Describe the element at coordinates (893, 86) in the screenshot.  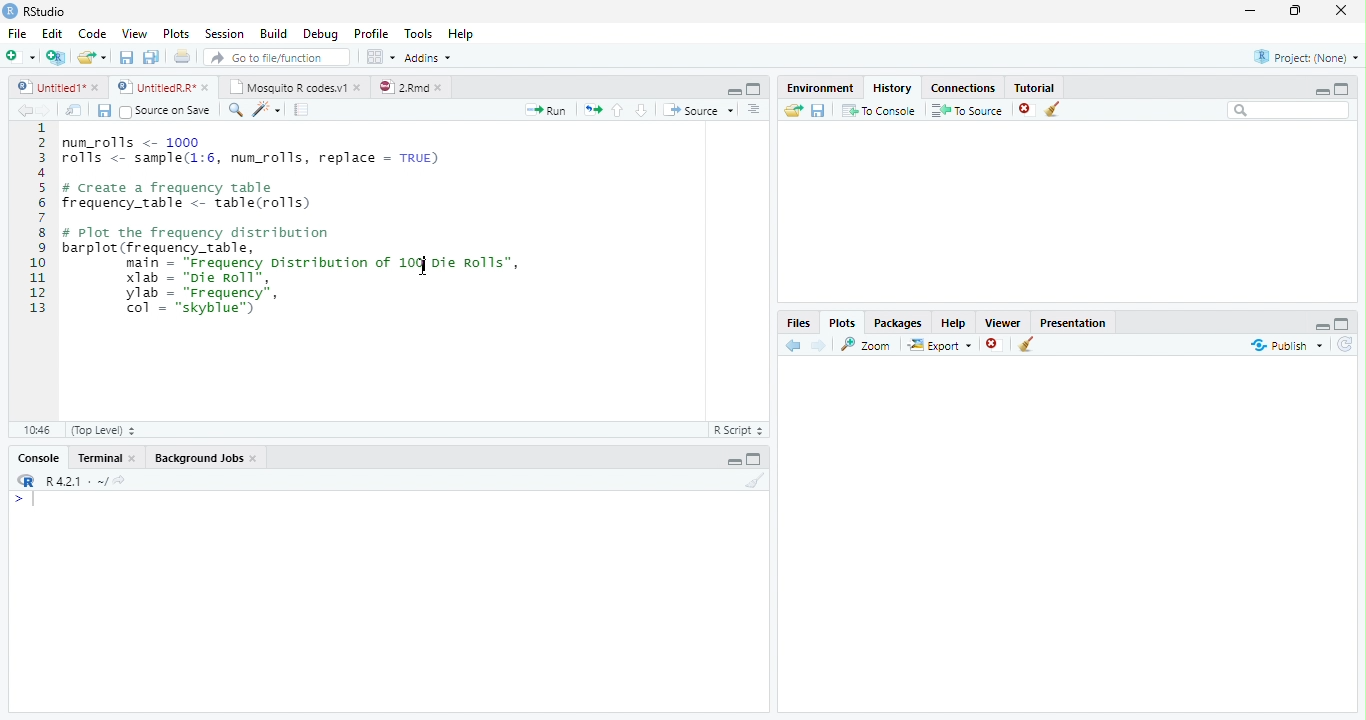
I see `History` at that location.